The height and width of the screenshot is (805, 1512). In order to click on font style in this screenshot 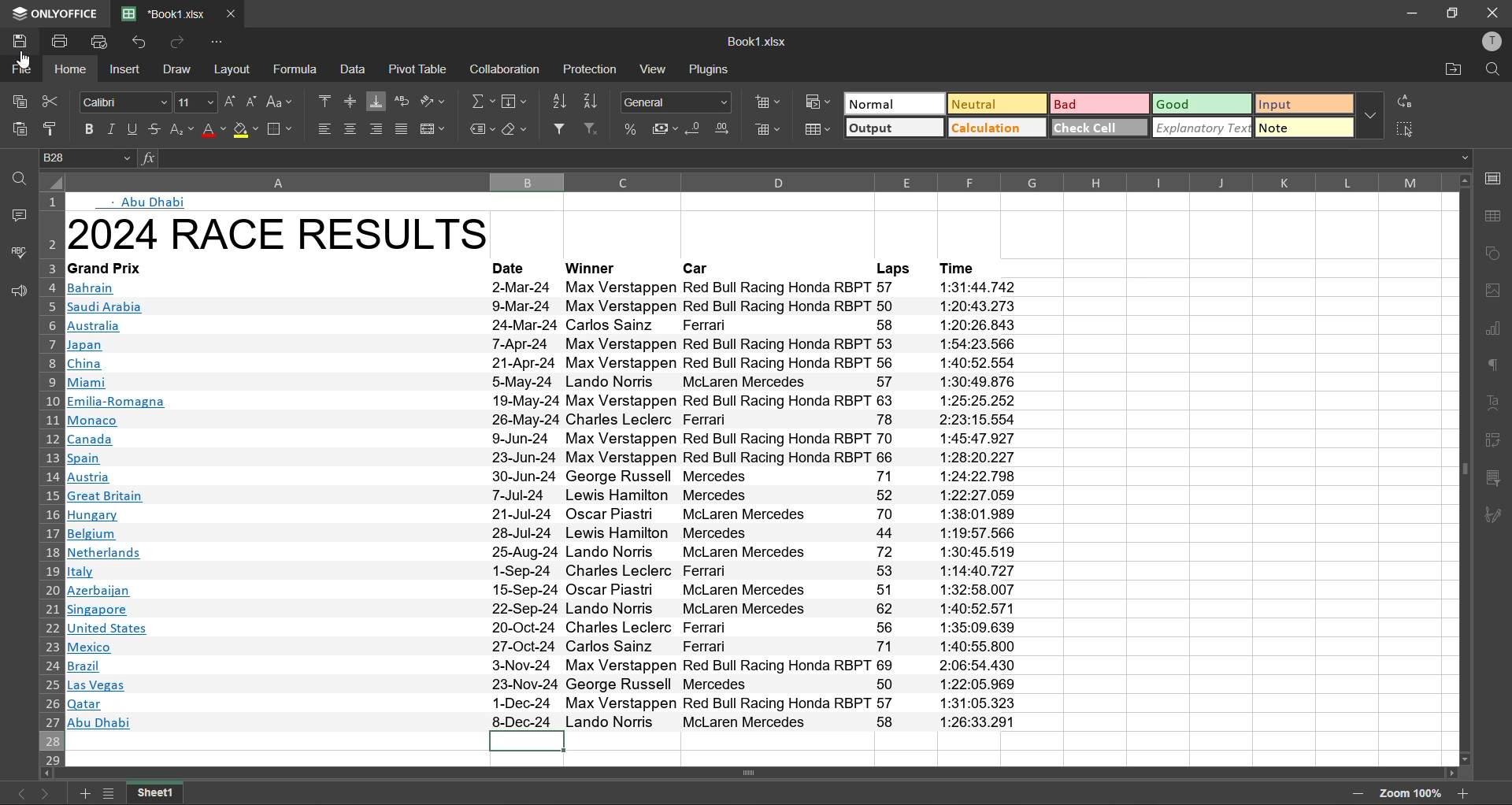, I will do `click(127, 103)`.